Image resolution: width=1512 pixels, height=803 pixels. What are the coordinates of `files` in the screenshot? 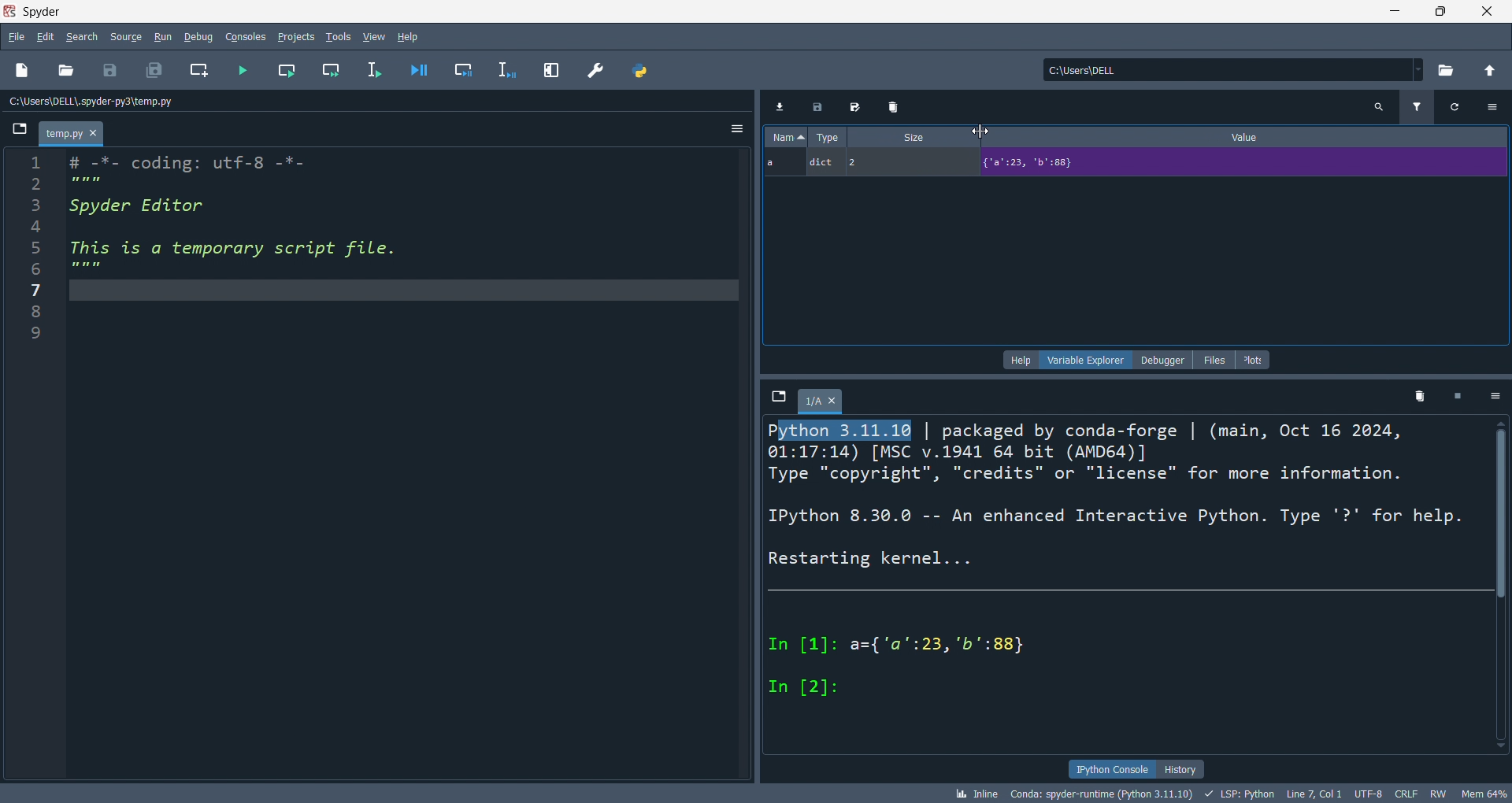 It's located at (1210, 361).